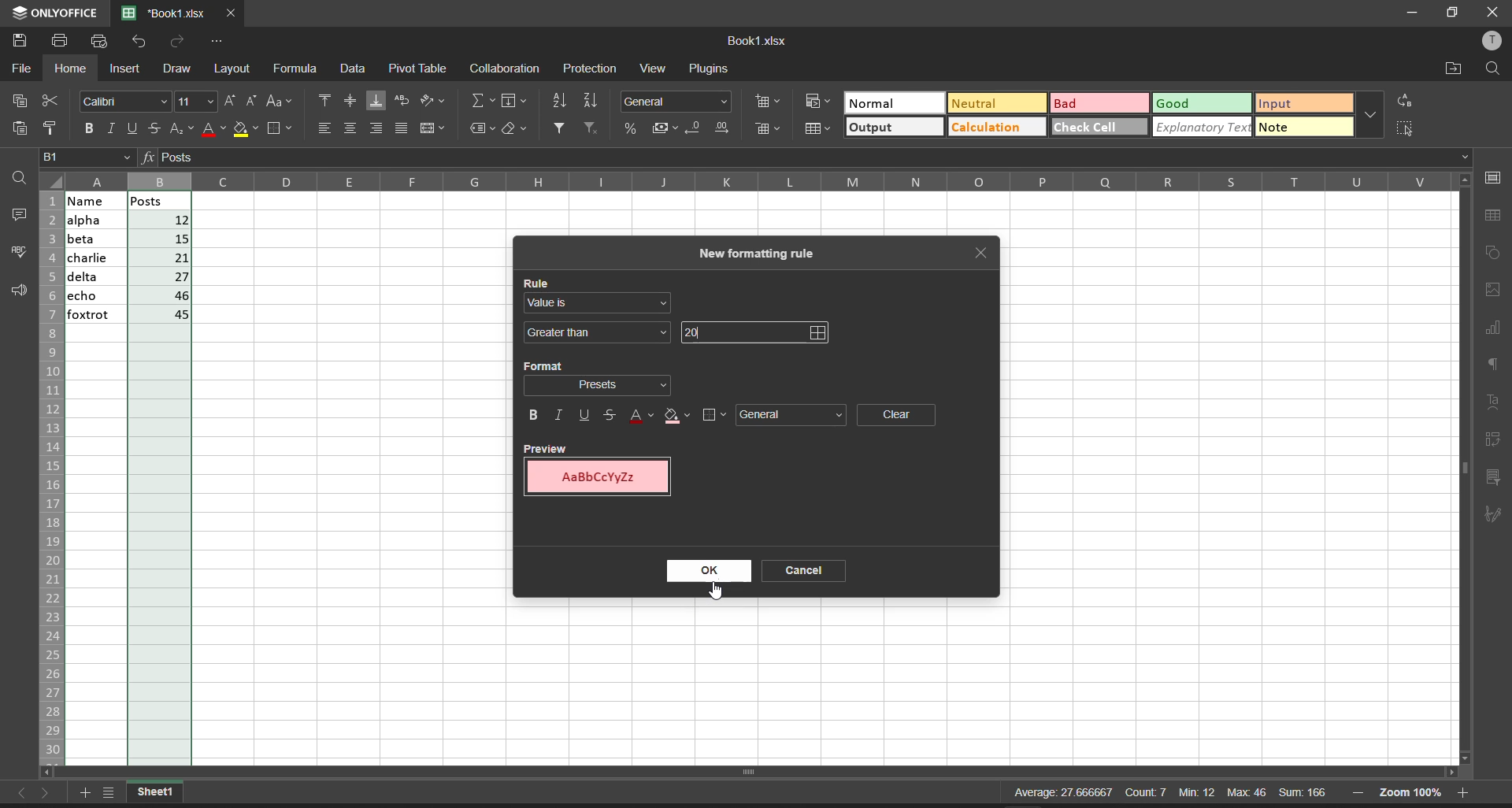 The image size is (1512, 808). Describe the element at coordinates (872, 128) in the screenshot. I see `output` at that location.